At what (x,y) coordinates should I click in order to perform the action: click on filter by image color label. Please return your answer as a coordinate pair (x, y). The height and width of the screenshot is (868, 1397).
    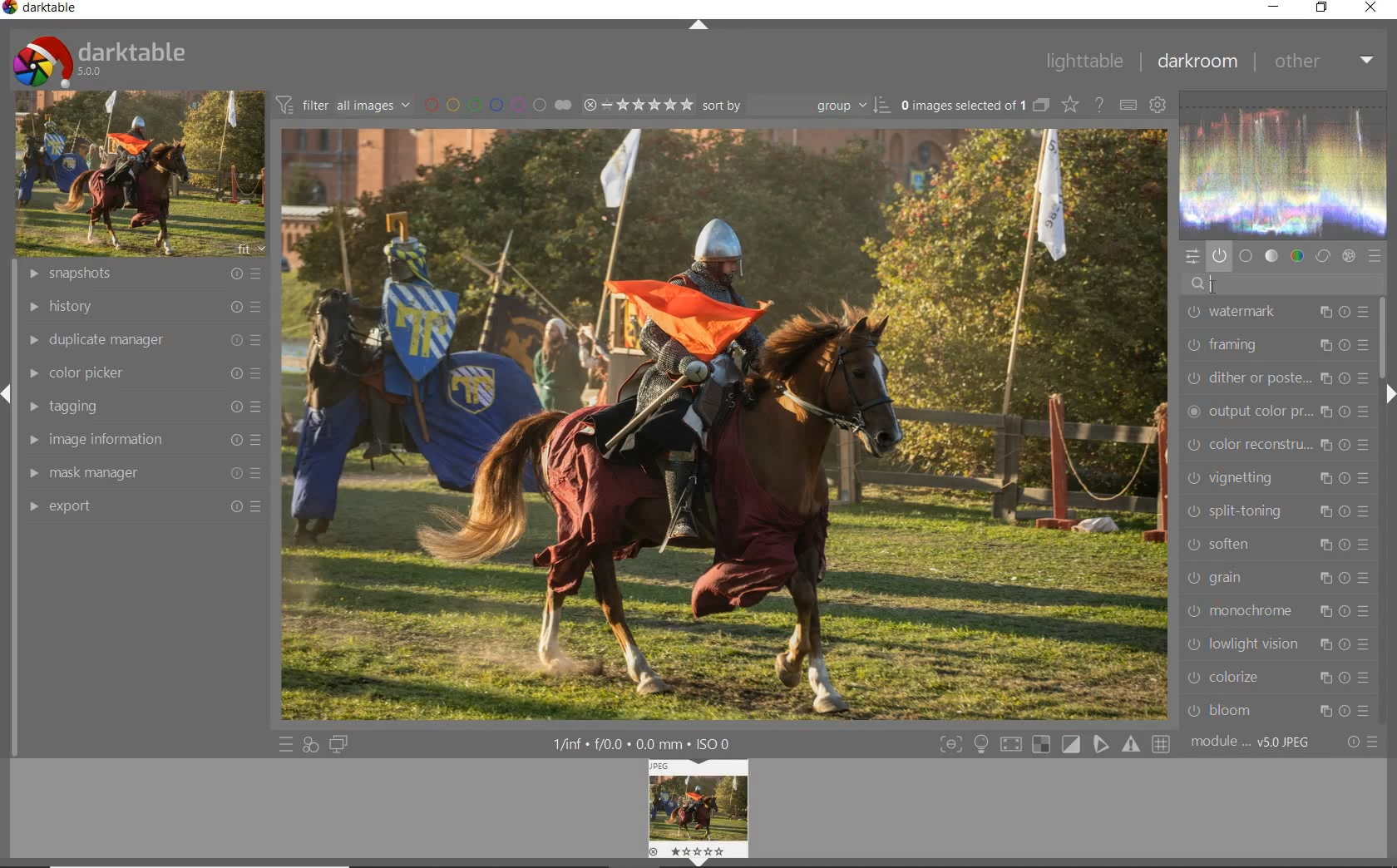
    Looking at the image, I should click on (497, 104).